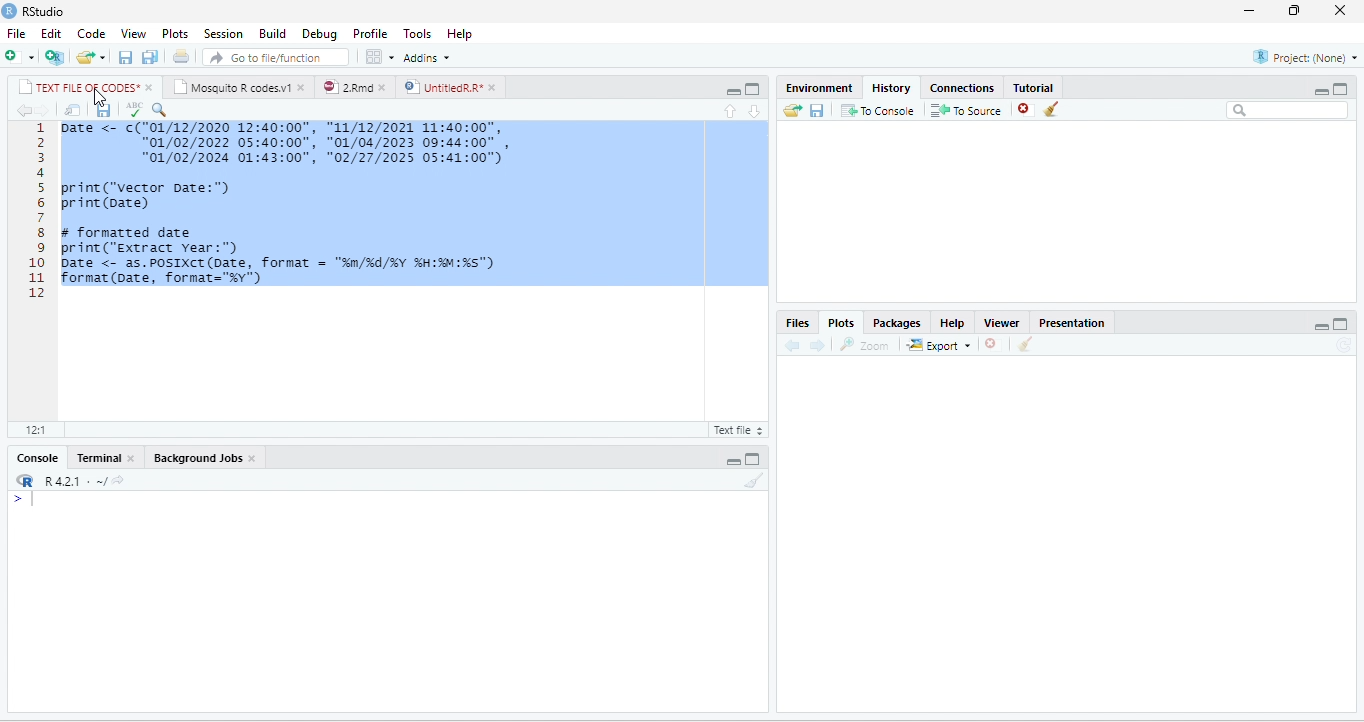  Describe the element at coordinates (306, 255) in the screenshot. I see `# formatted date print("extract year:") Date <- as.POSIXCT(Date, format = "n/%d/%Y %H:M:%s") format(Date, format="%y")` at that location.